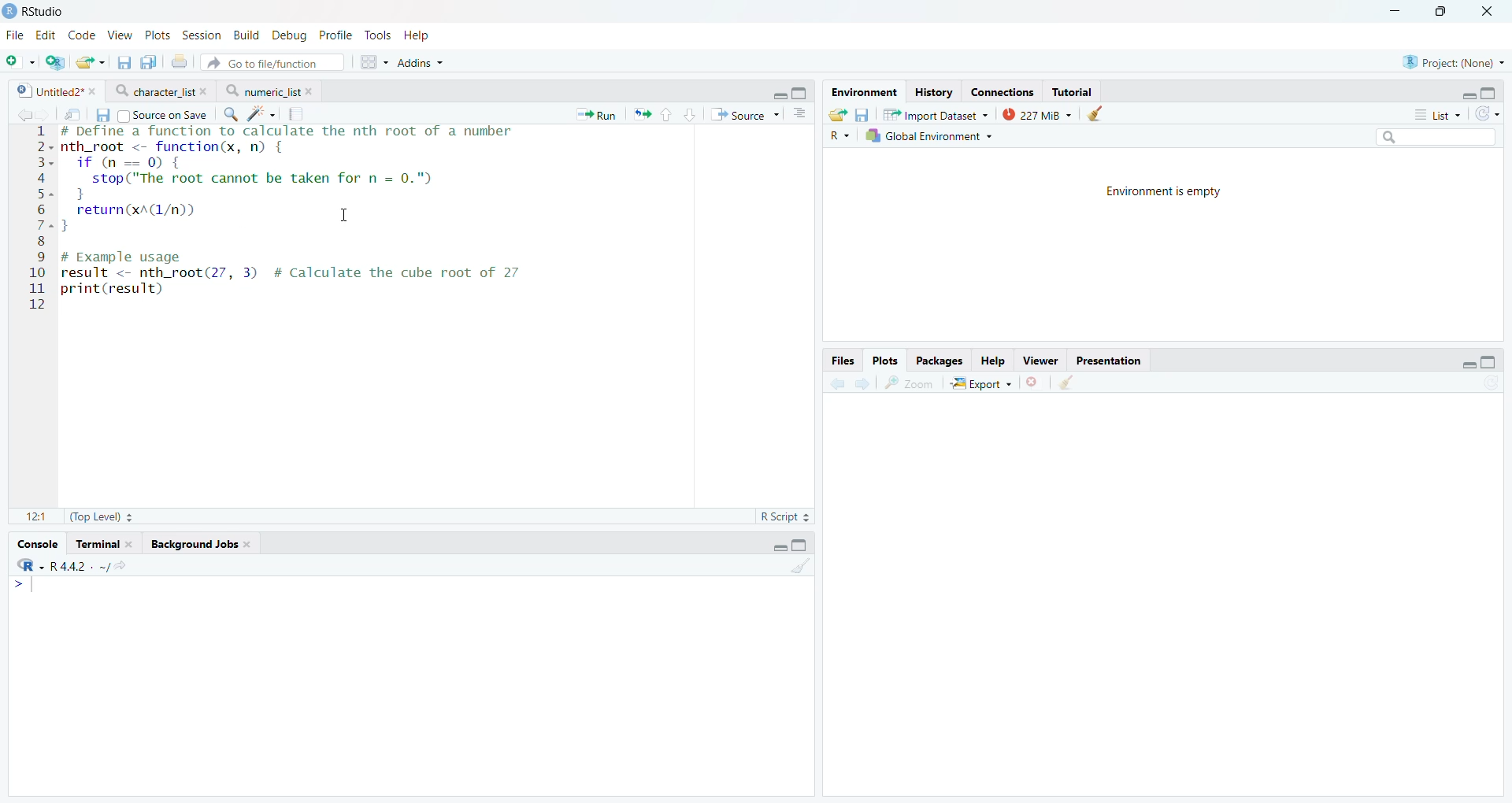 This screenshot has height=803, width=1512. Describe the element at coordinates (801, 544) in the screenshot. I see `Full Height` at that location.